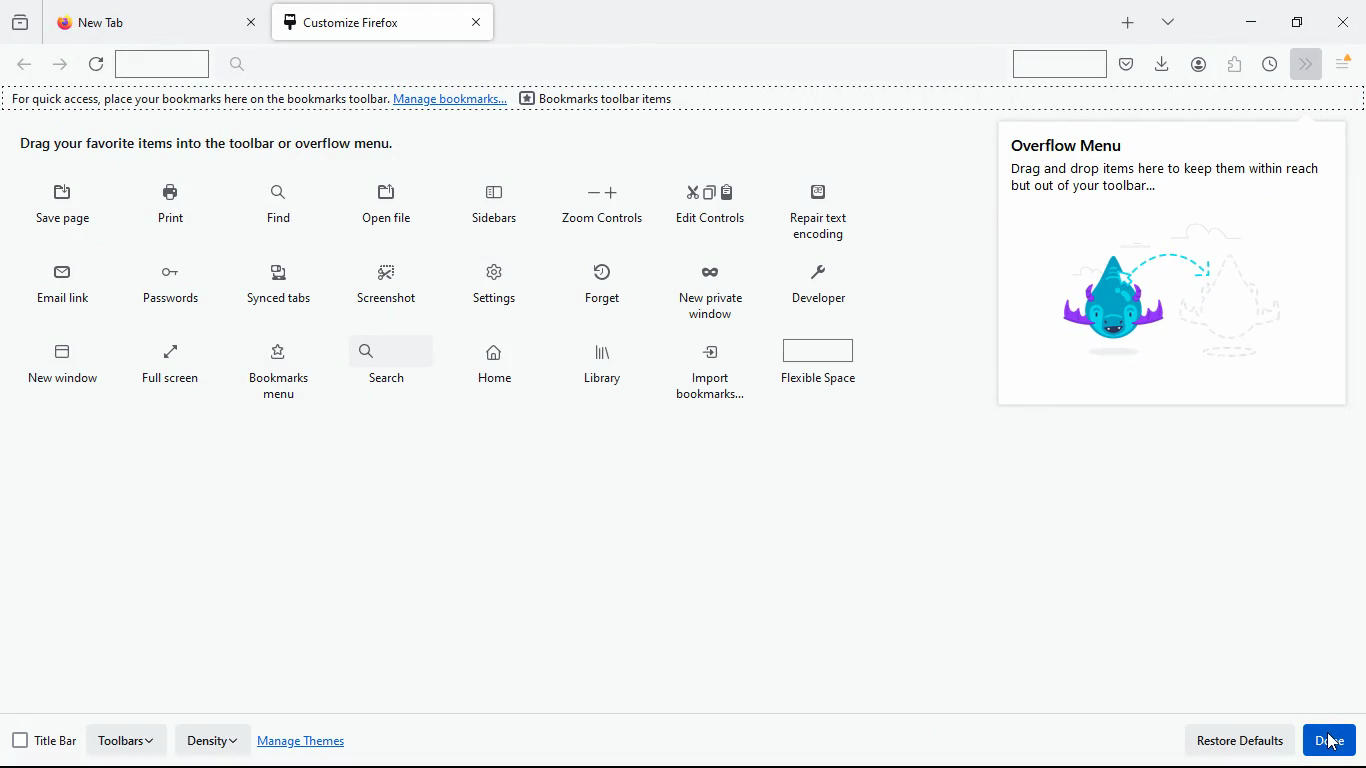 This screenshot has width=1366, height=768. I want to click on search, so click(190, 64).